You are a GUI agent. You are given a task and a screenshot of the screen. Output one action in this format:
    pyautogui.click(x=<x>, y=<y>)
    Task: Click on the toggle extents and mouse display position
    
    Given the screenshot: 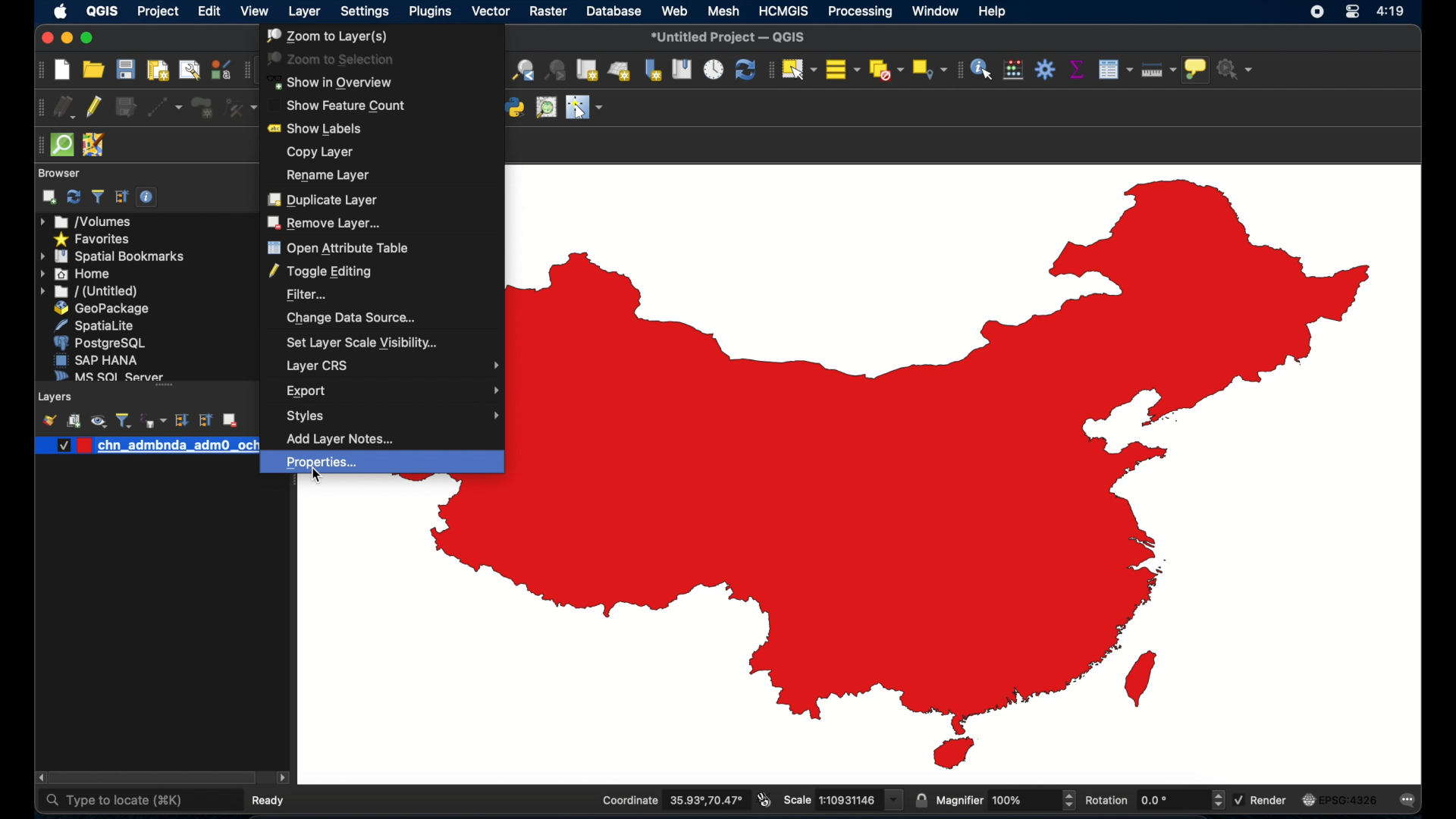 What is the action you would take?
    pyautogui.click(x=764, y=800)
    